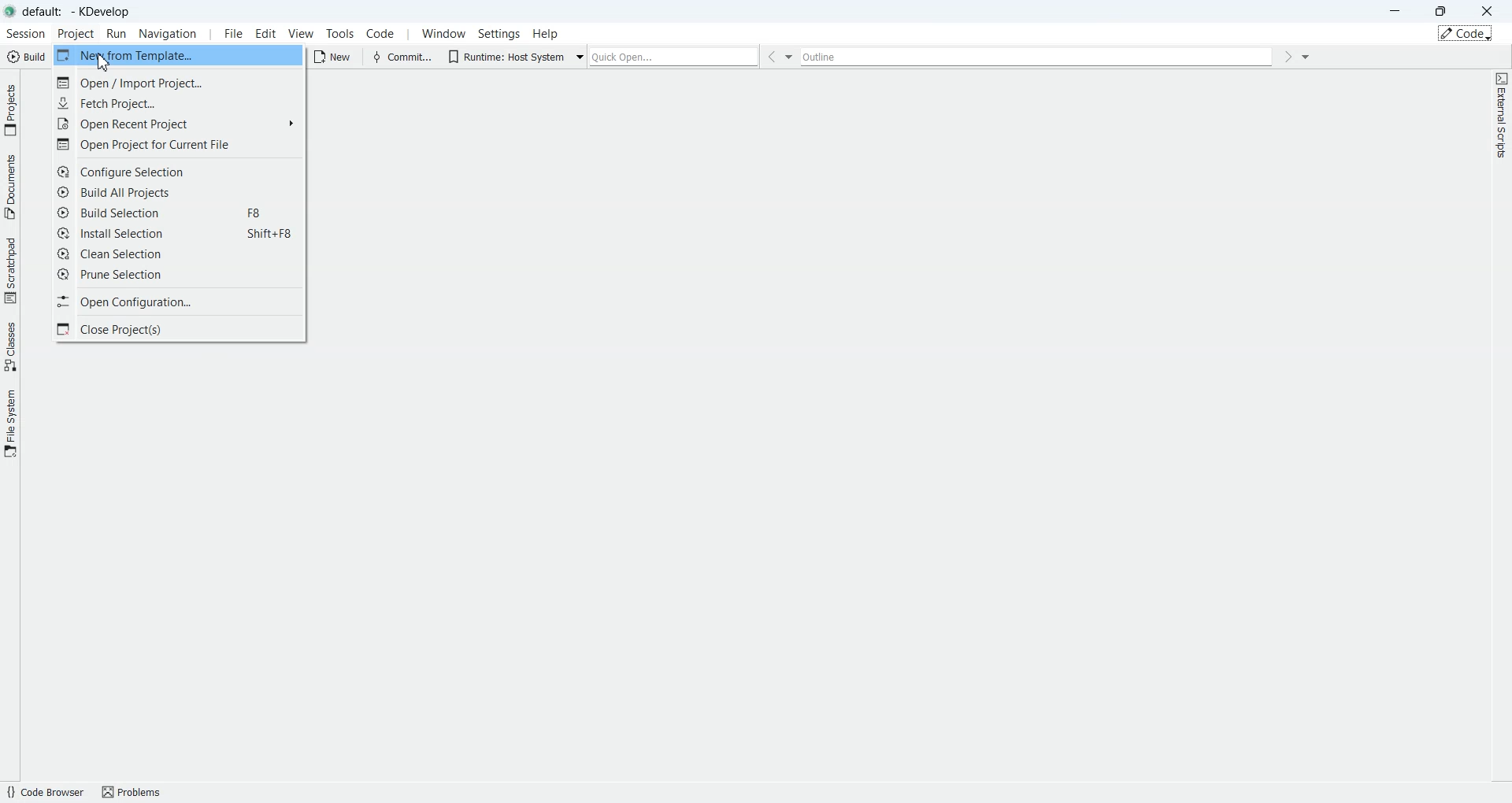  Describe the element at coordinates (24, 34) in the screenshot. I see `Session` at that location.